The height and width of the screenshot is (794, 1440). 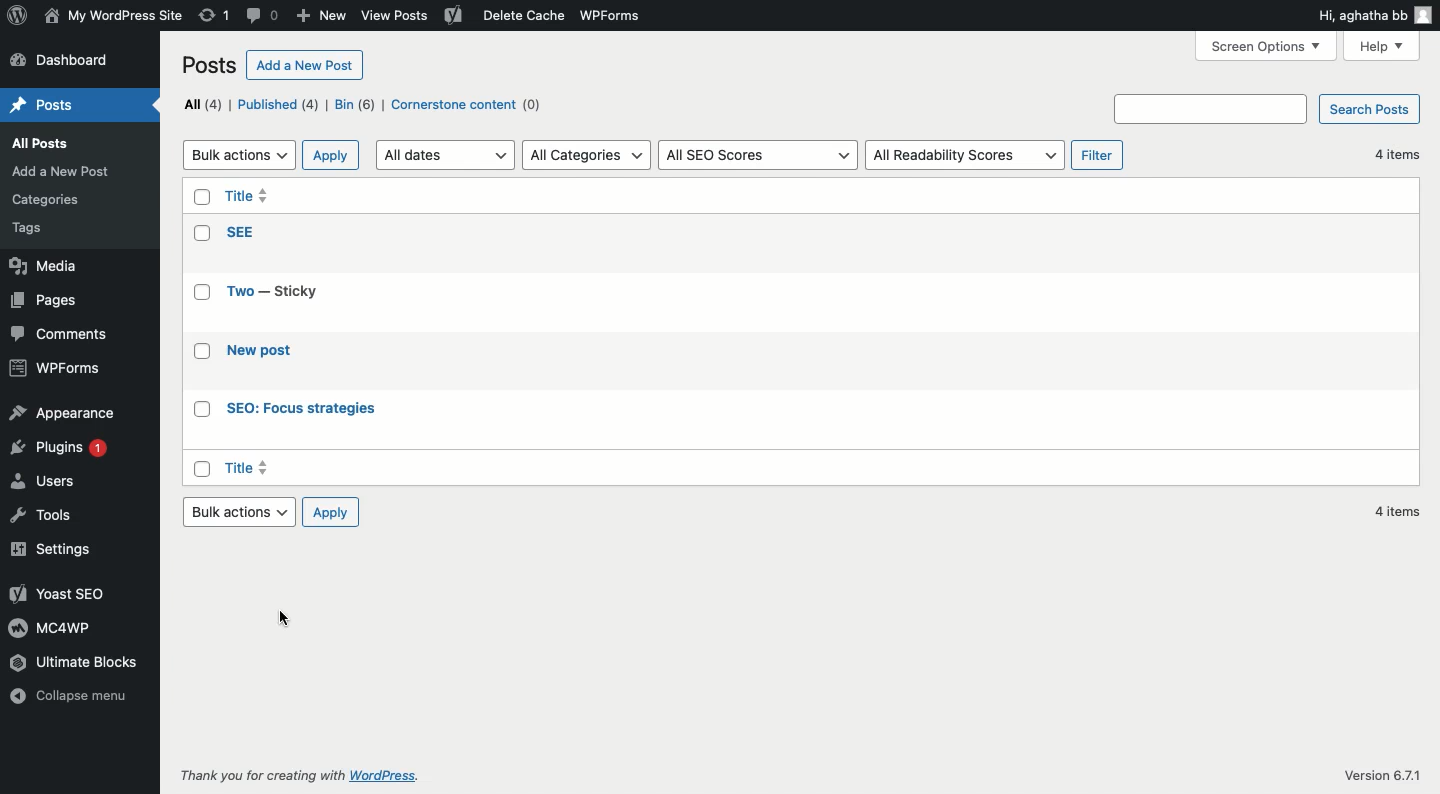 I want to click on All readability scores, so click(x=966, y=156).